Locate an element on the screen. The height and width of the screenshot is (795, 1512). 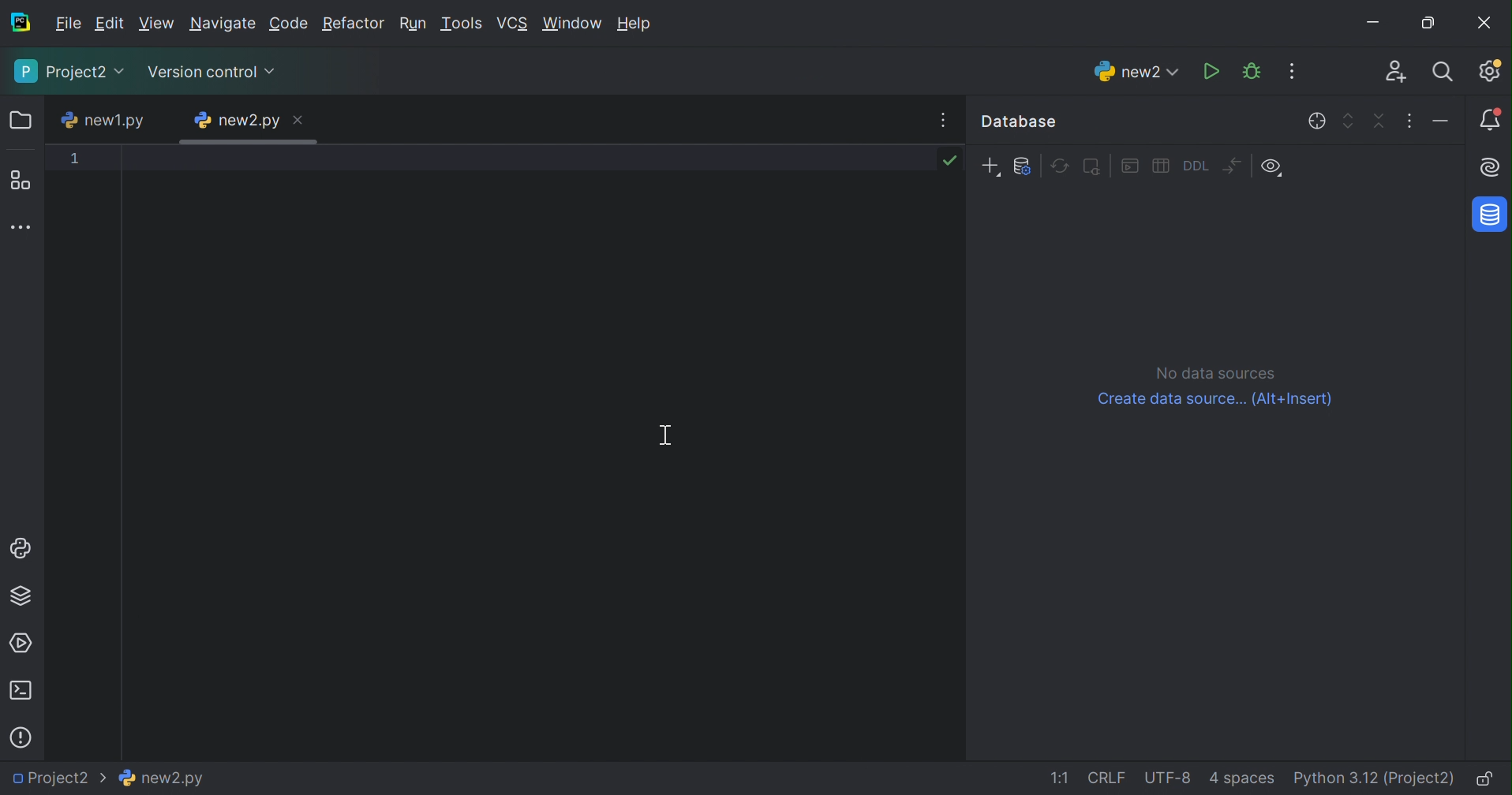
PyCharm icon is located at coordinates (17, 21).